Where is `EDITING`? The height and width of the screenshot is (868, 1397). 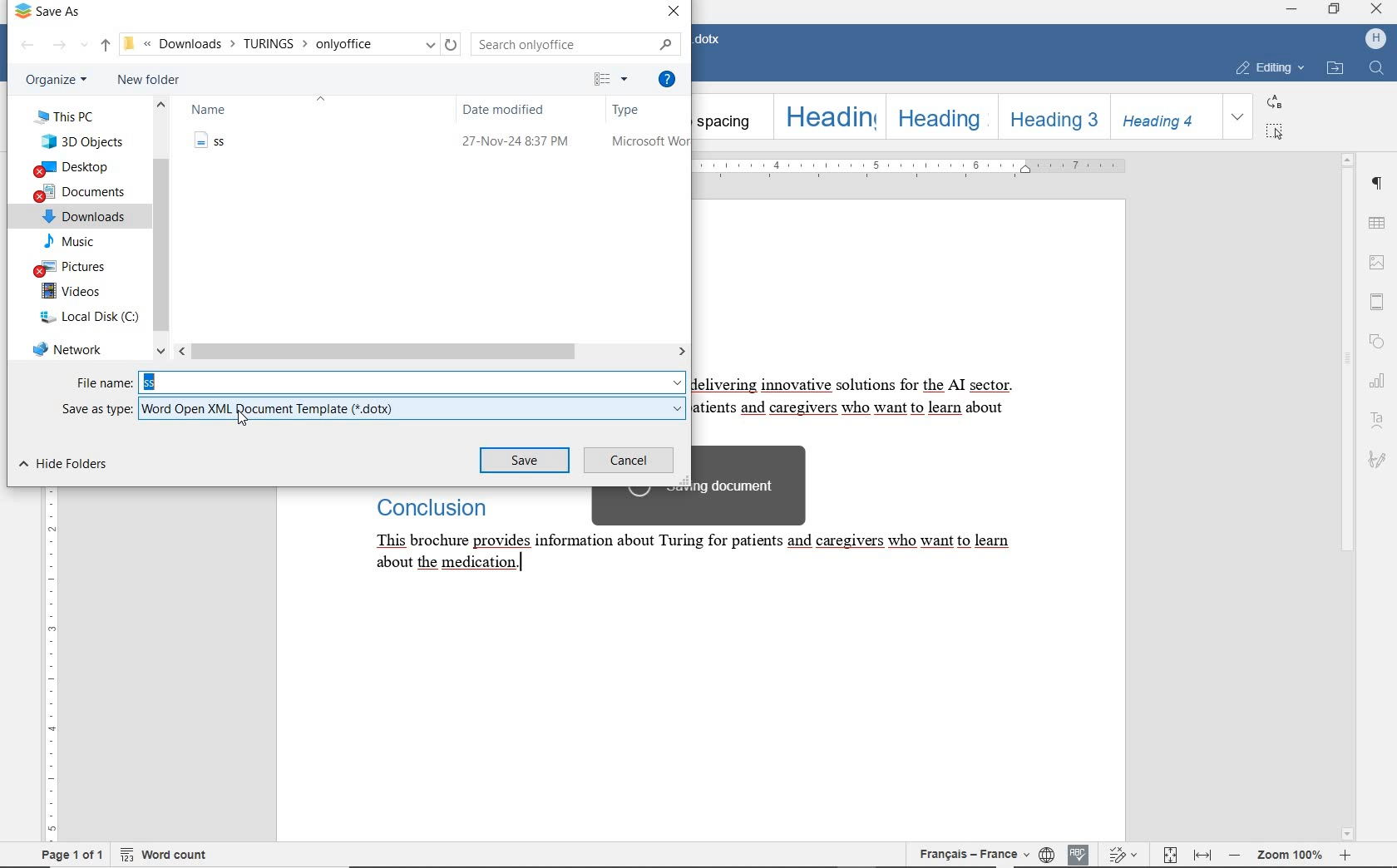 EDITING is located at coordinates (1268, 66).